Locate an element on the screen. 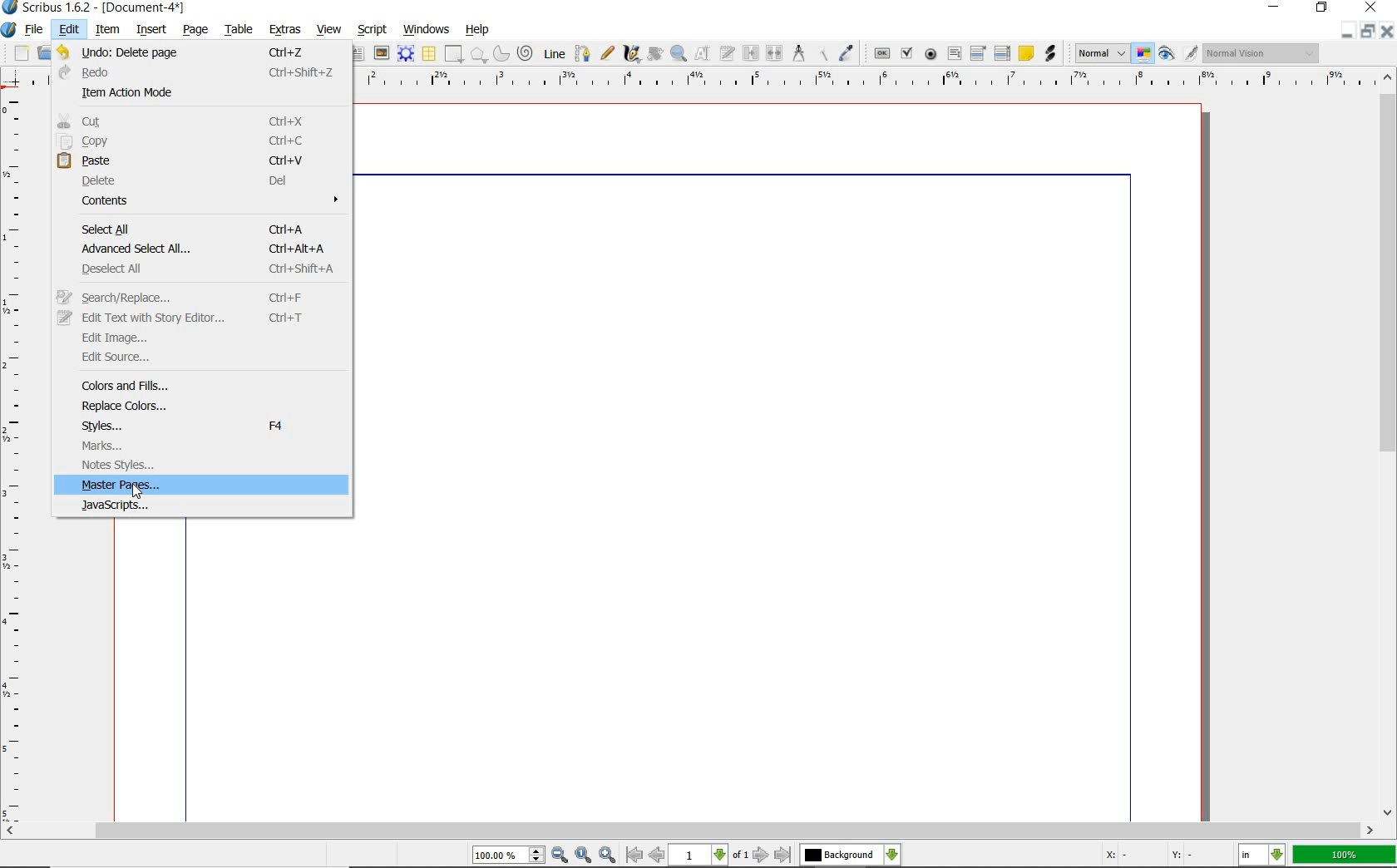  calligraphic line is located at coordinates (631, 54).